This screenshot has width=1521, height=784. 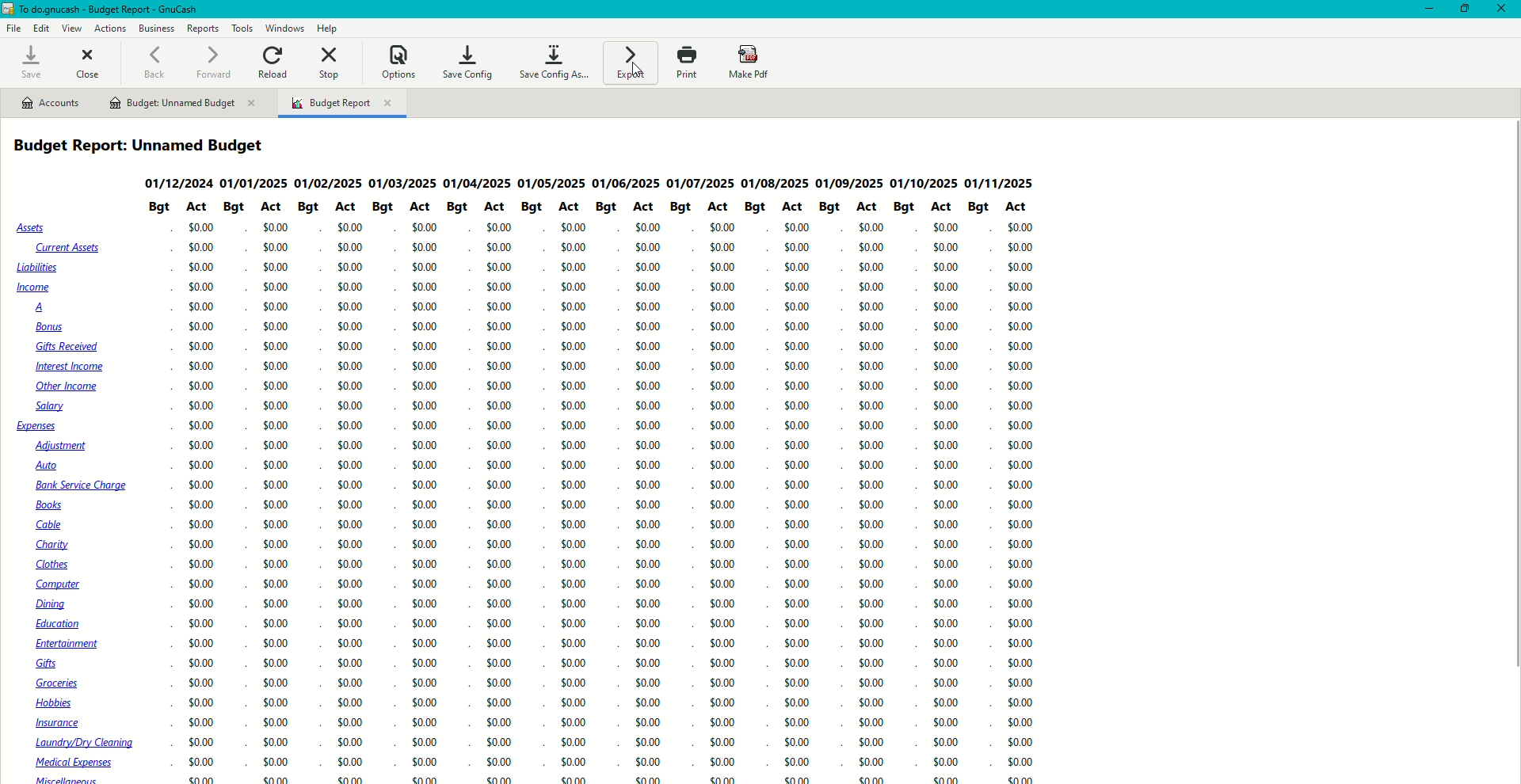 What do you see at coordinates (350, 286) in the screenshot?
I see `0.00` at bounding box center [350, 286].